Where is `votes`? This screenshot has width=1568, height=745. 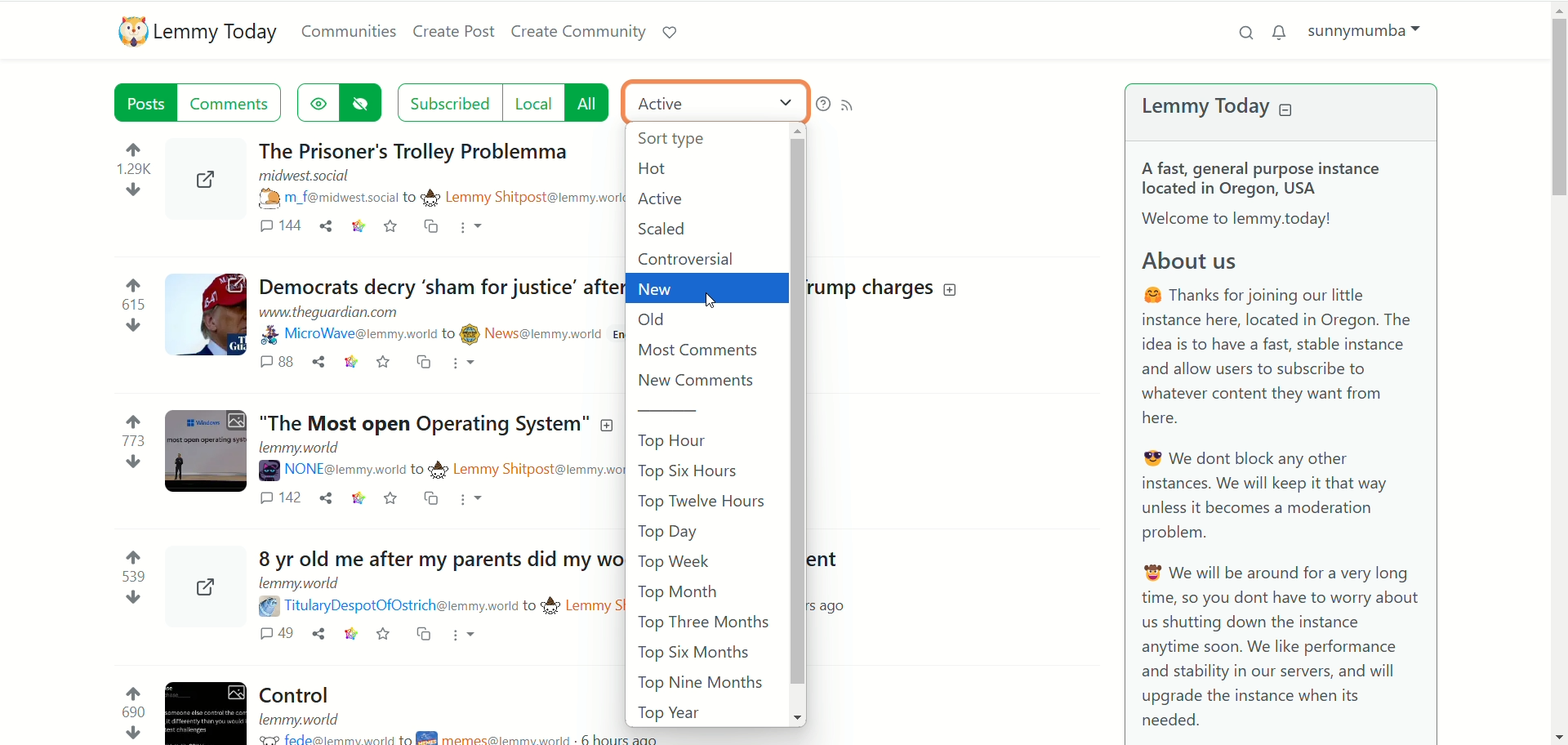 votes is located at coordinates (131, 307).